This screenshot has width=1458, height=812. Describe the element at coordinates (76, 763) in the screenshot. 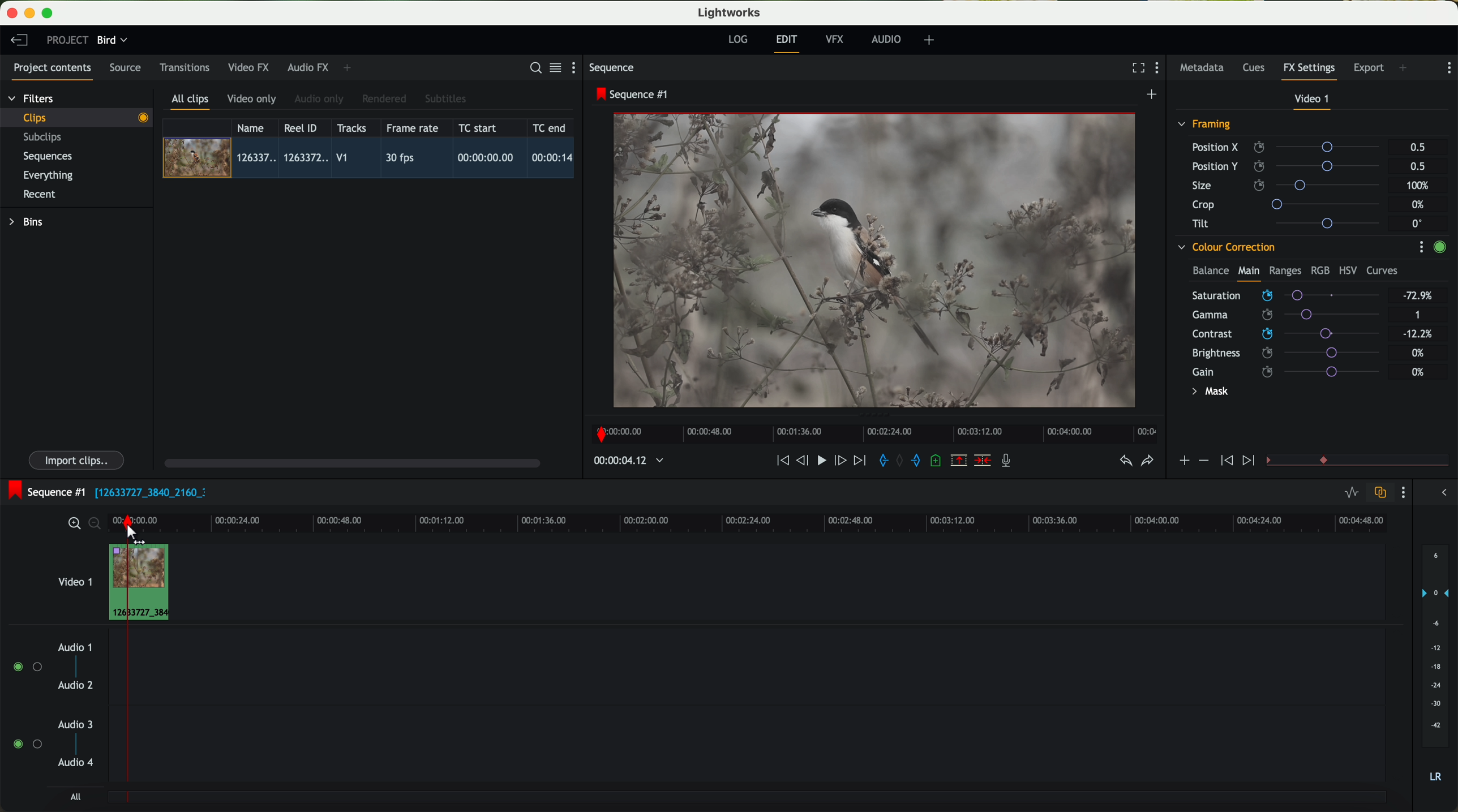

I see `audio 4` at that location.